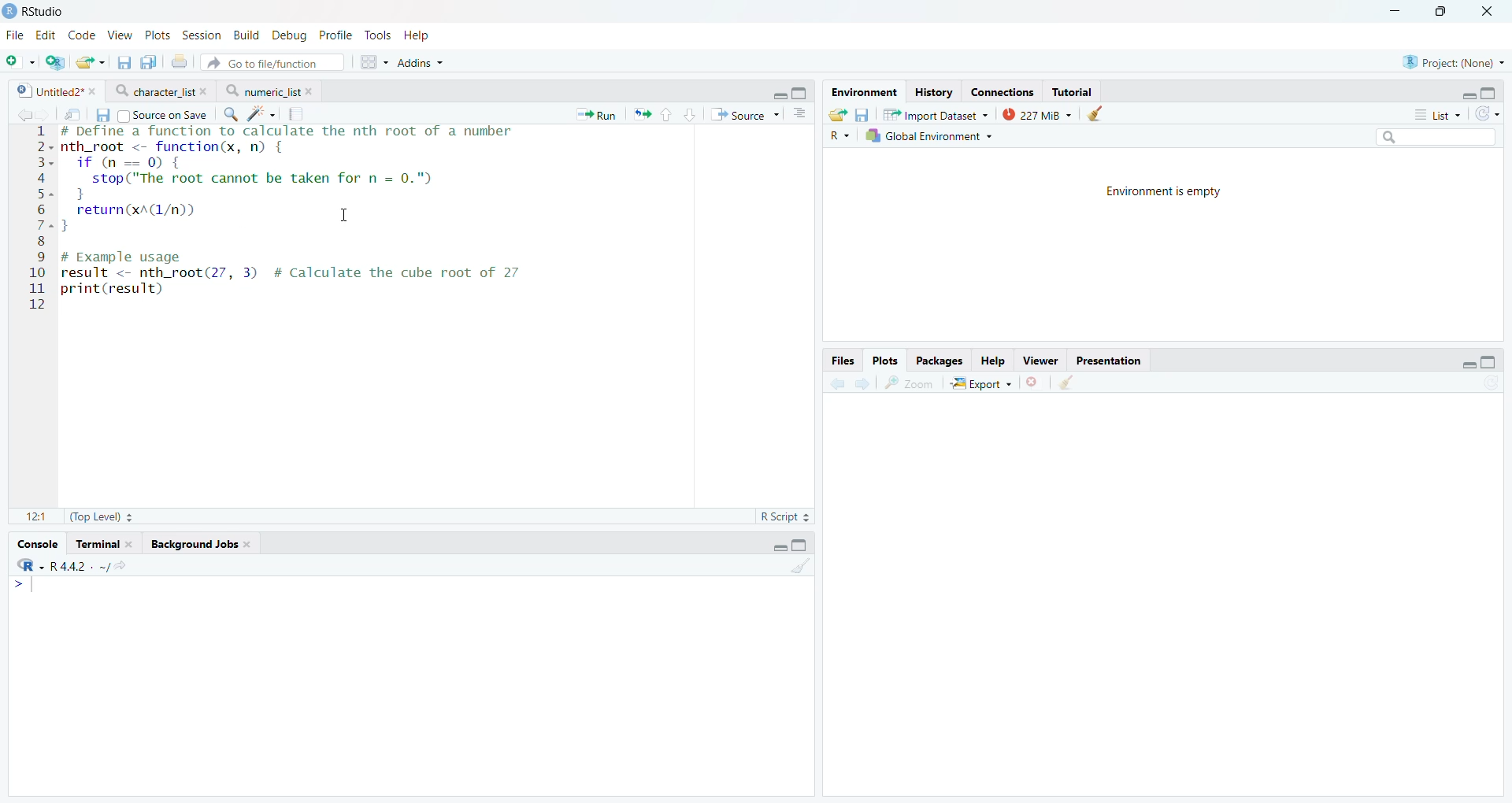  Describe the element at coordinates (1396, 10) in the screenshot. I see `Minimize` at that location.